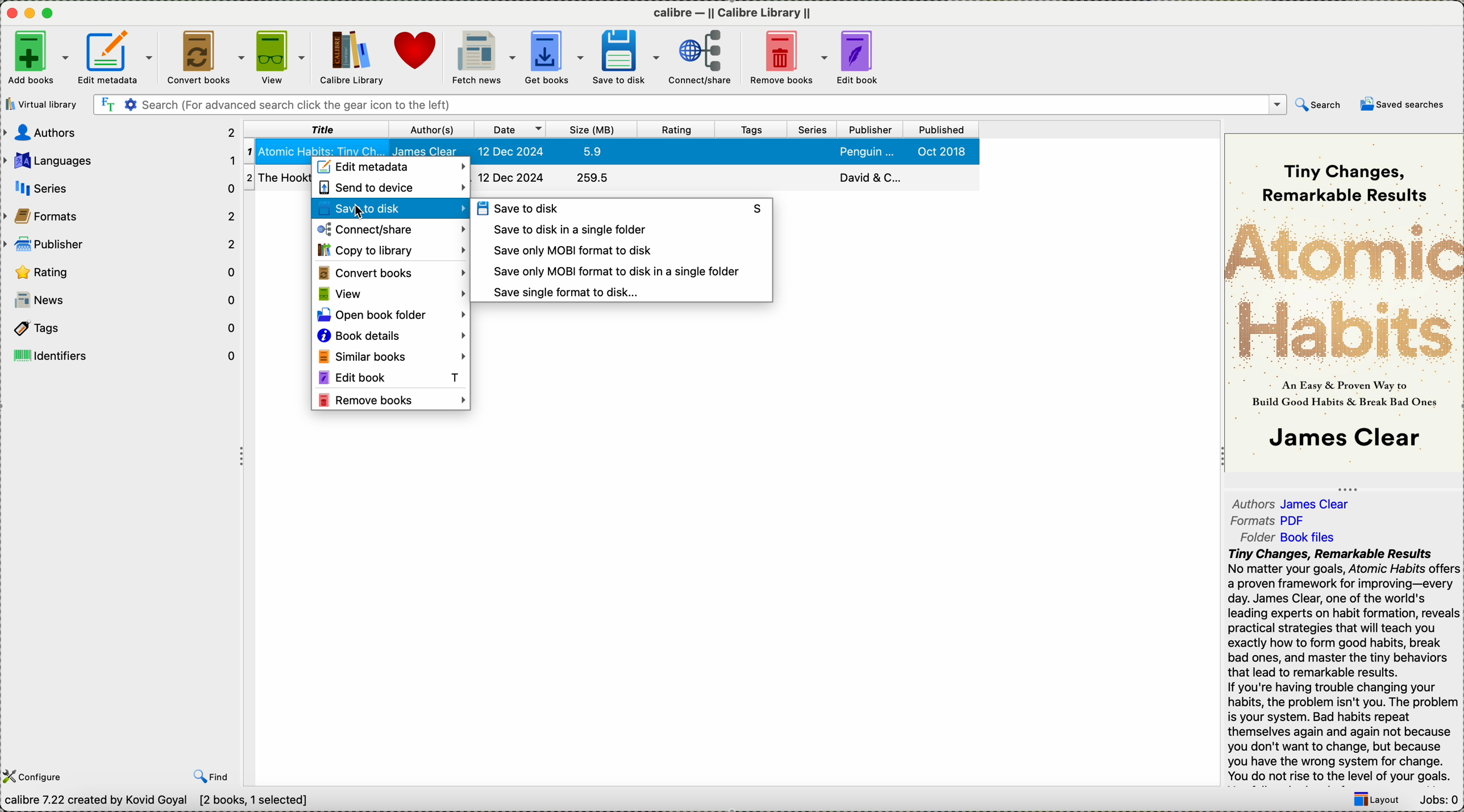 This screenshot has width=1464, height=812. What do you see at coordinates (569, 251) in the screenshot?
I see `save only MOVI format to disk` at bounding box center [569, 251].